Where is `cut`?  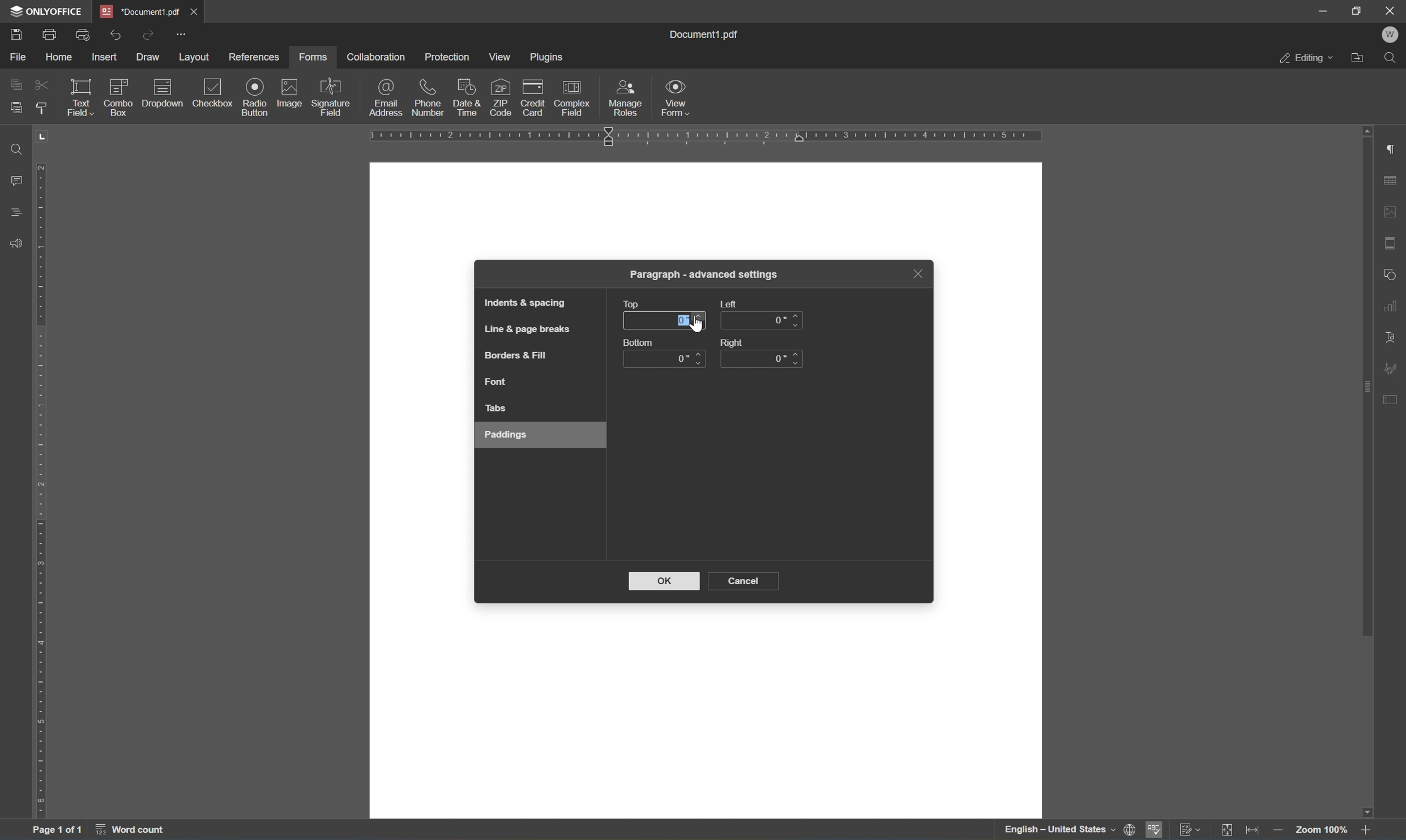
cut is located at coordinates (41, 84).